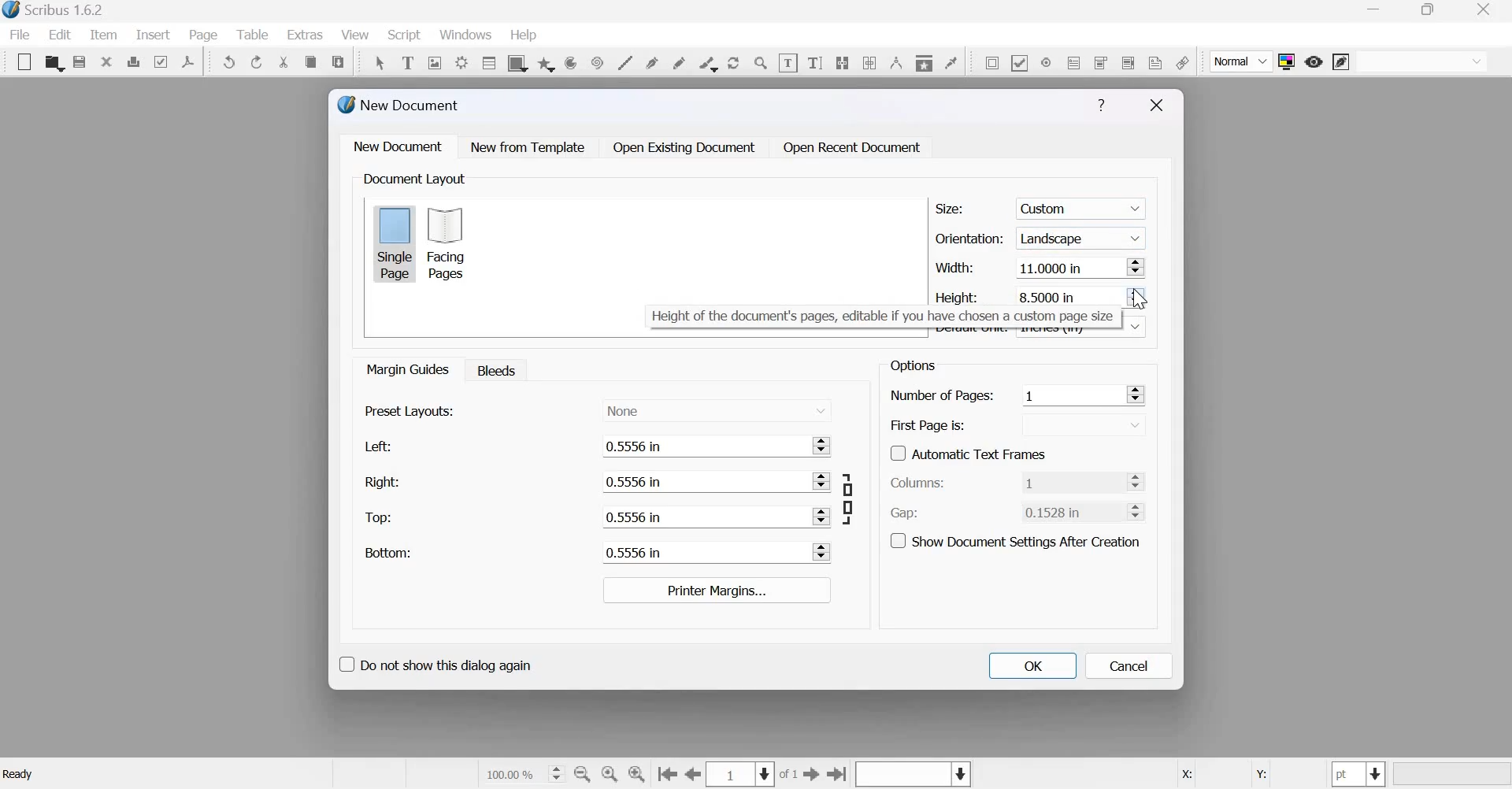 The width and height of the screenshot is (1512, 789). Describe the element at coordinates (700, 482) in the screenshot. I see `0.5556 in` at that location.